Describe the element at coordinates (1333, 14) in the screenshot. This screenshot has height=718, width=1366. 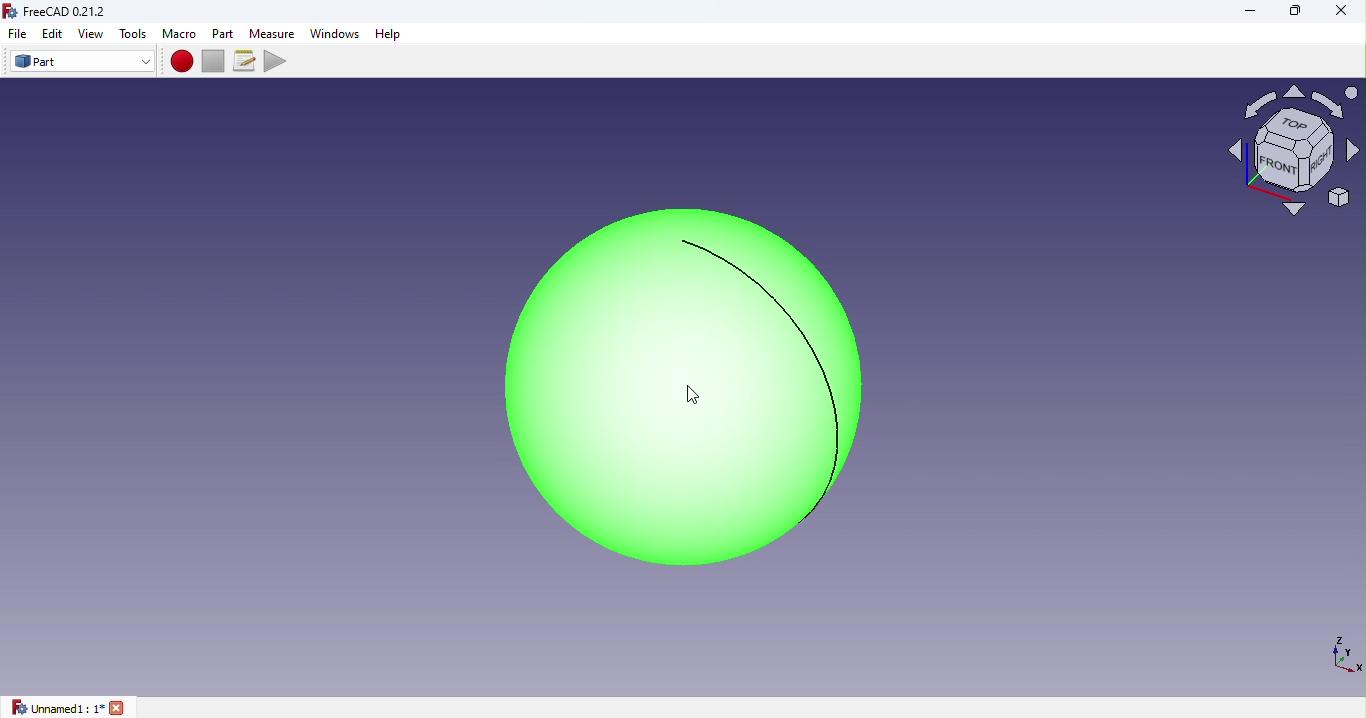
I see `Close` at that location.